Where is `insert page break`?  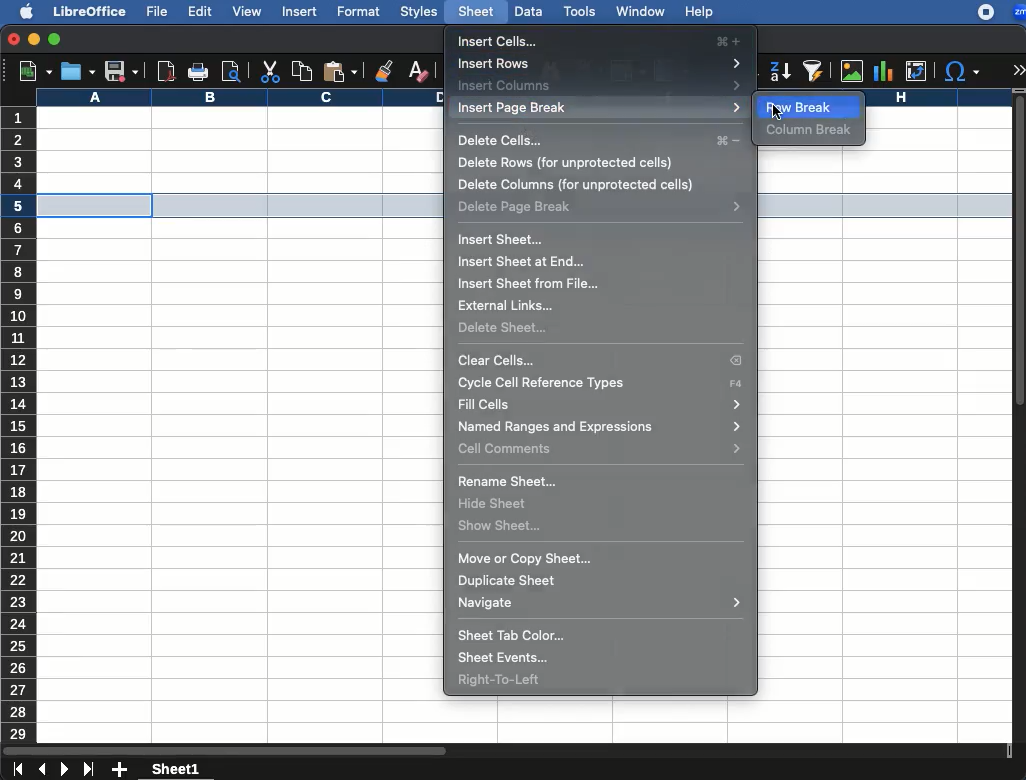 insert page break is located at coordinates (523, 110).